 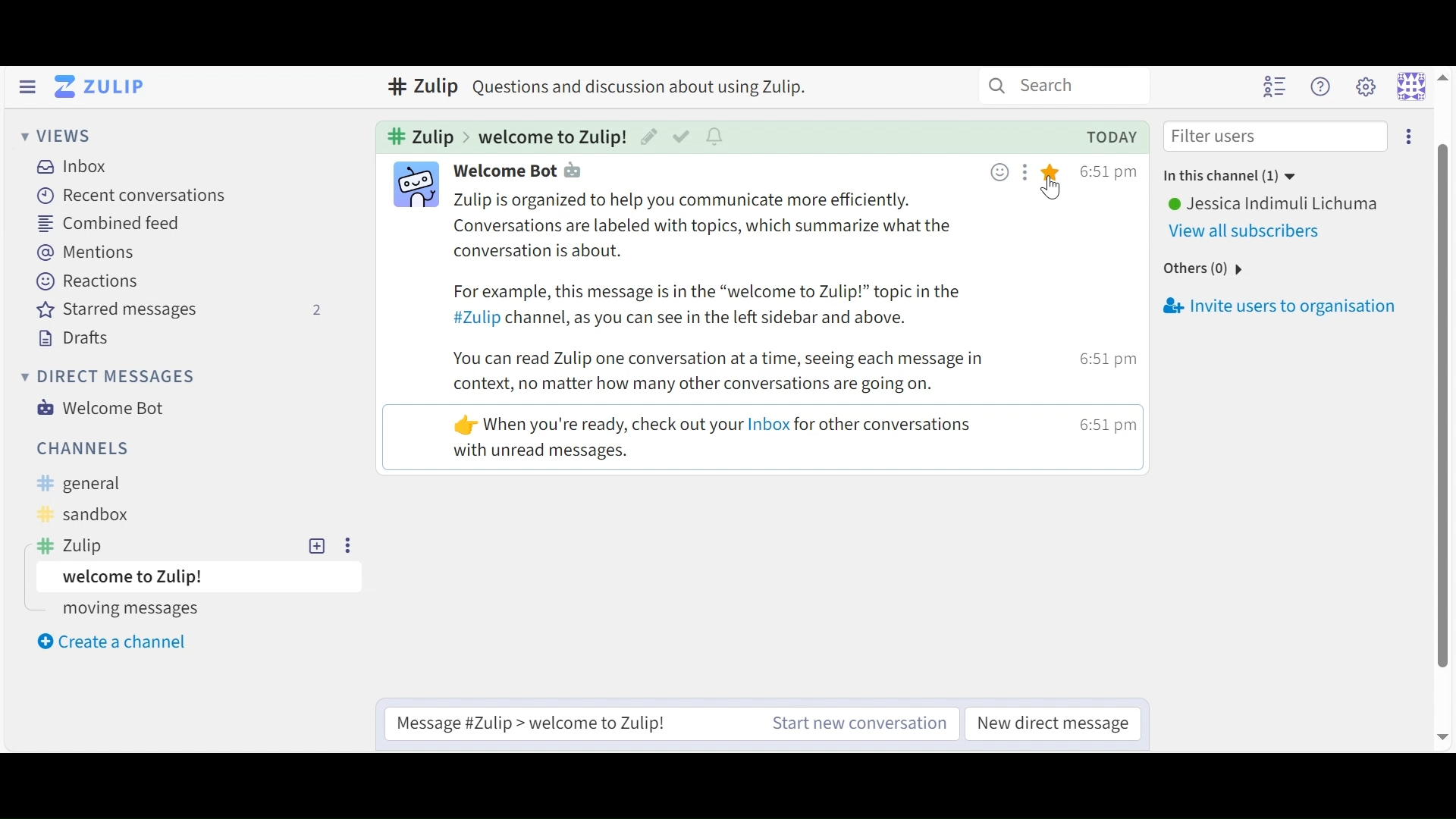 What do you see at coordinates (55, 135) in the screenshot?
I see `Views` at bounding box center [55, 135].